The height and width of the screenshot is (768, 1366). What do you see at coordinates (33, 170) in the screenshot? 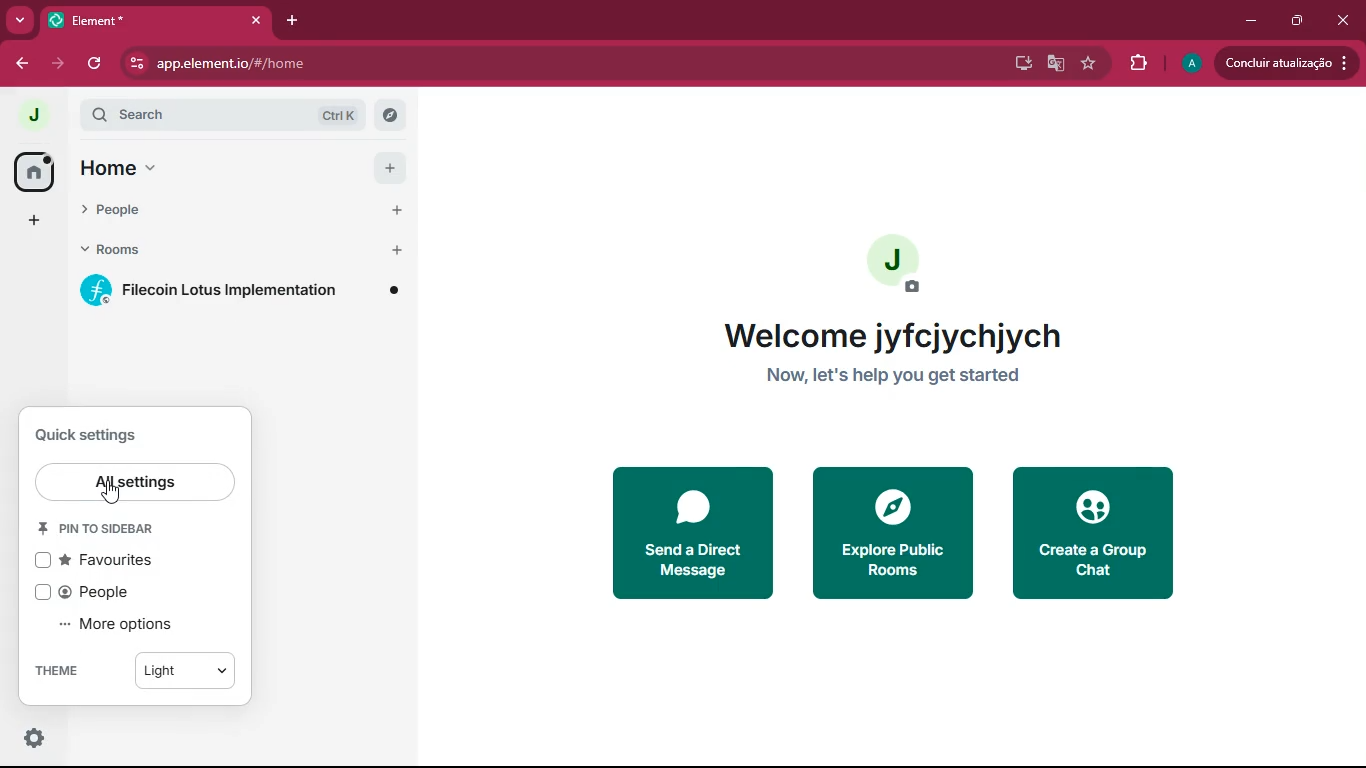
I see `home` at bounding box center [33, 170].